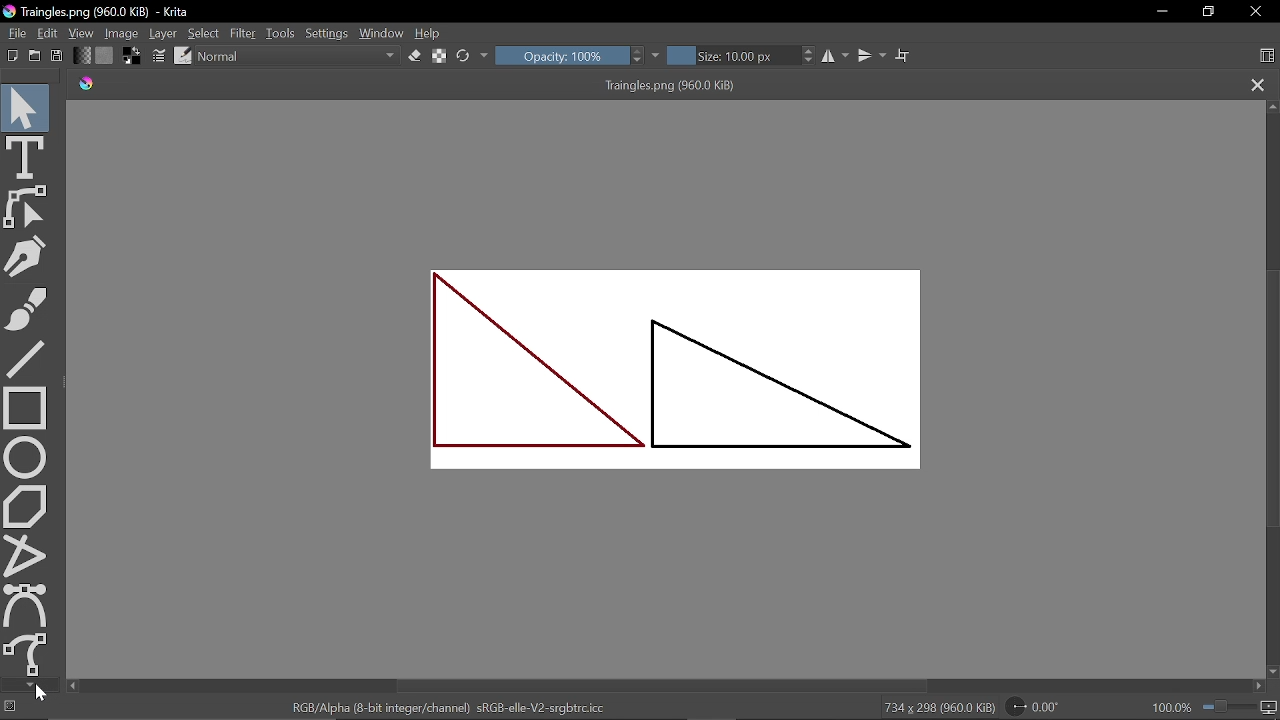  I want to click on Minimize, so click(1162, 13).